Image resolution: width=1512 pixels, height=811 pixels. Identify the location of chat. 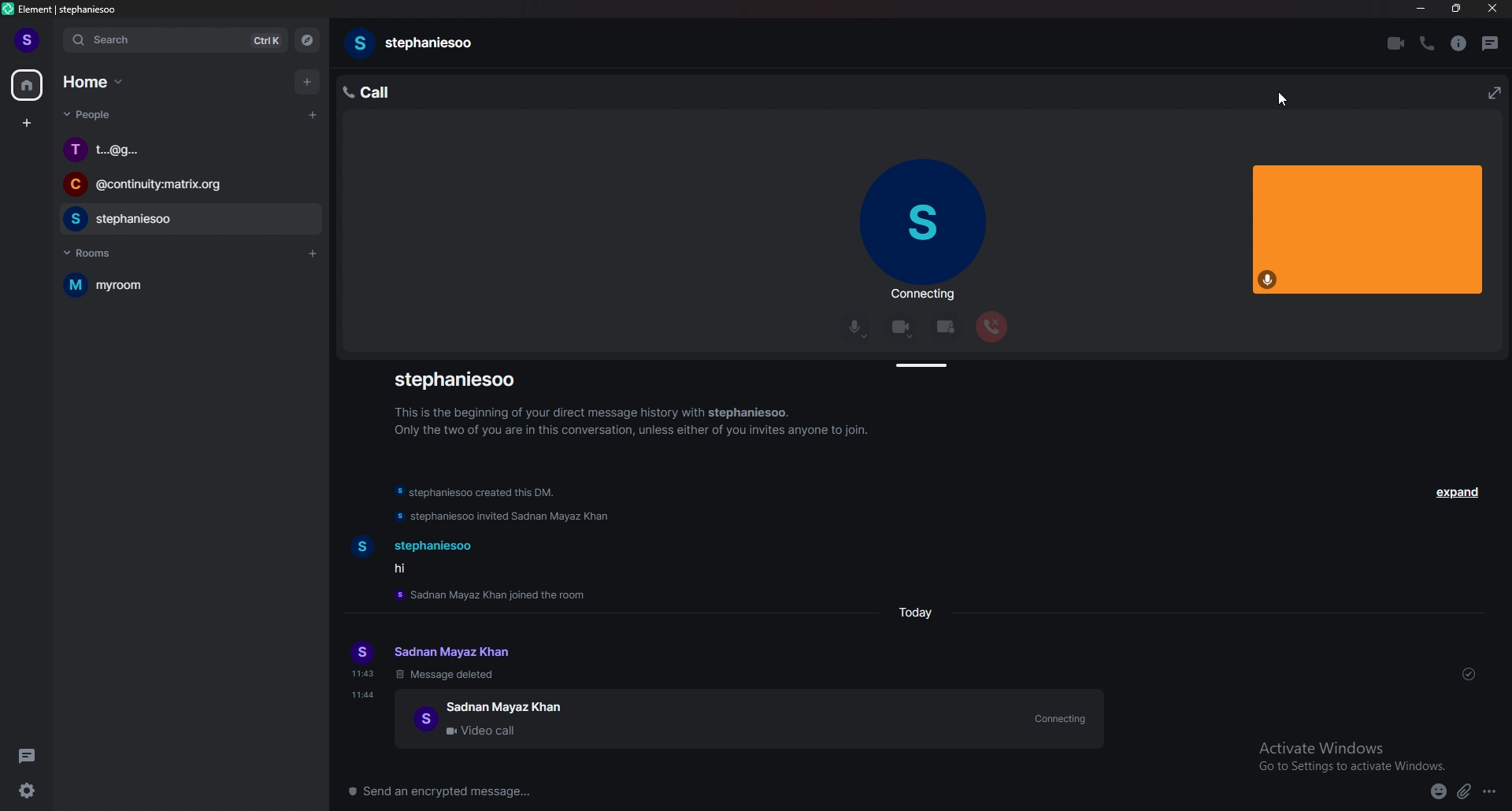
(187, 186).